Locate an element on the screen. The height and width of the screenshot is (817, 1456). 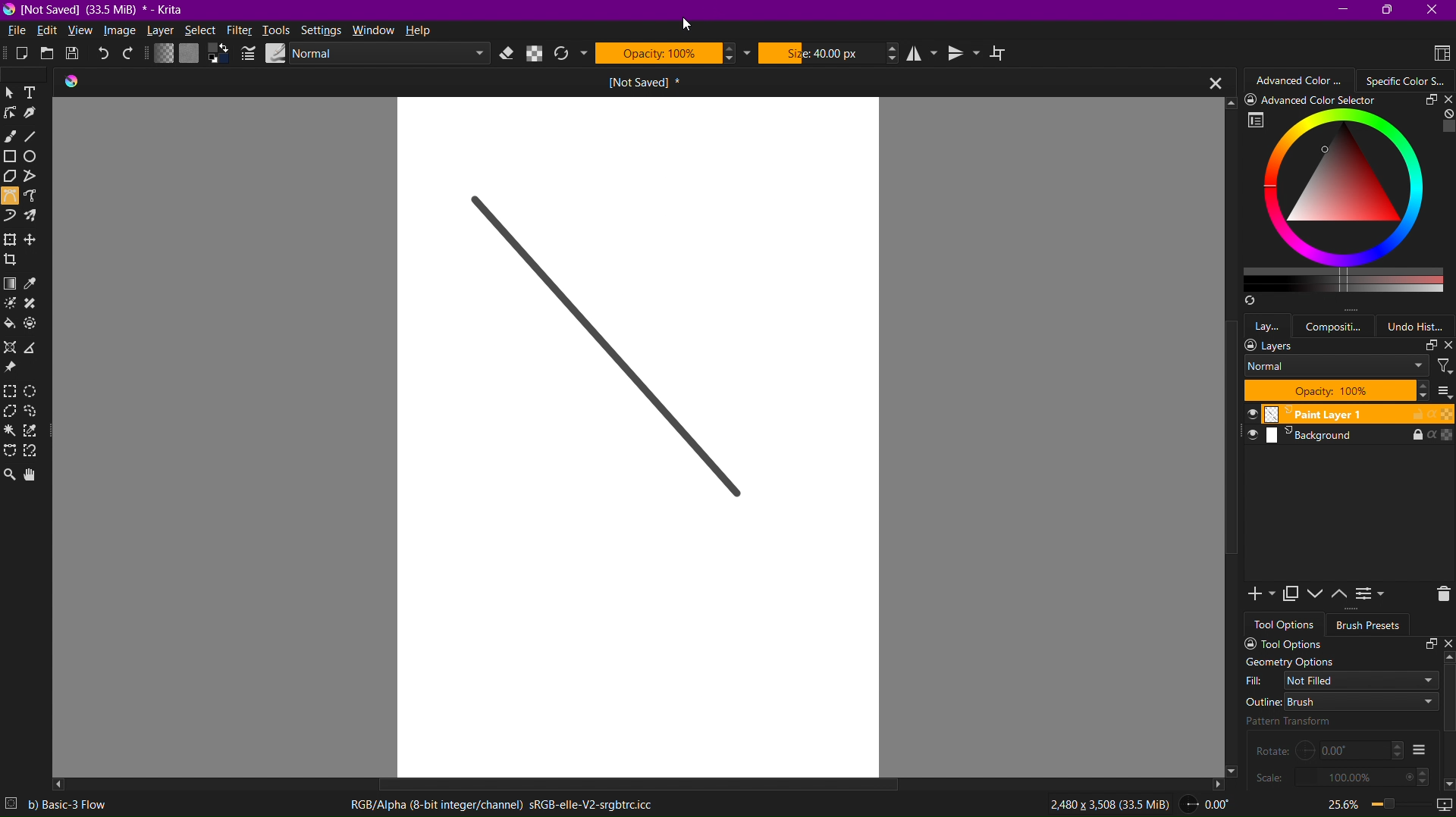
Opacity is located at coordinates (673, 52).